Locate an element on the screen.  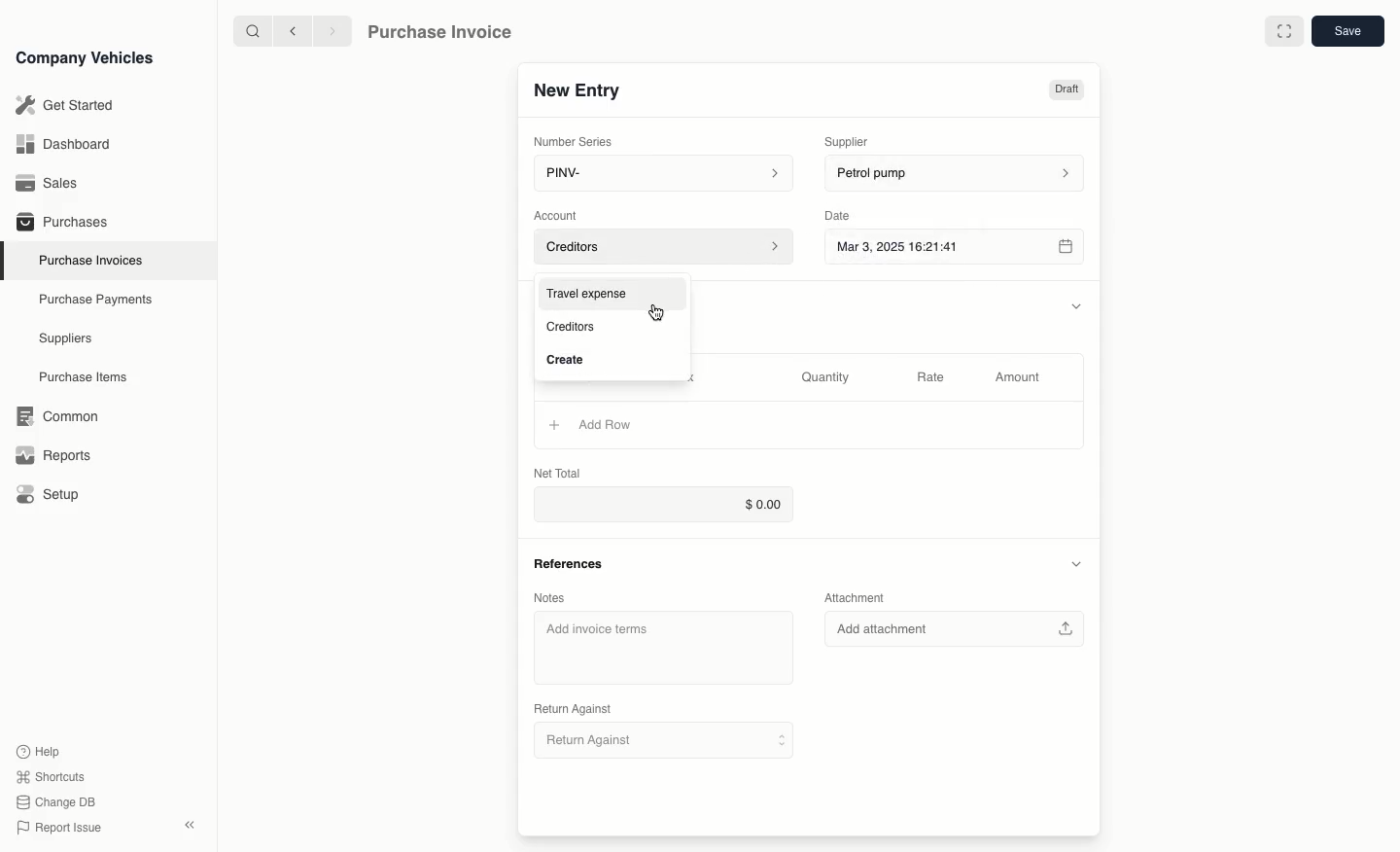
save is located at coordinates (1347, 30).